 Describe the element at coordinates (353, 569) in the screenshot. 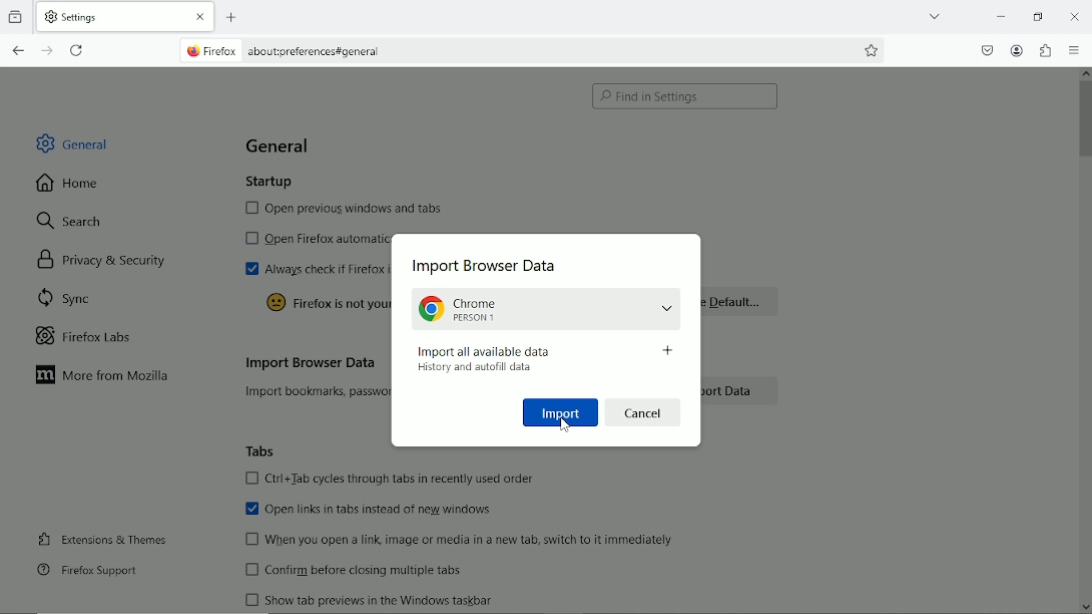

I see `Confirm before closing multiple tabs` at that location.